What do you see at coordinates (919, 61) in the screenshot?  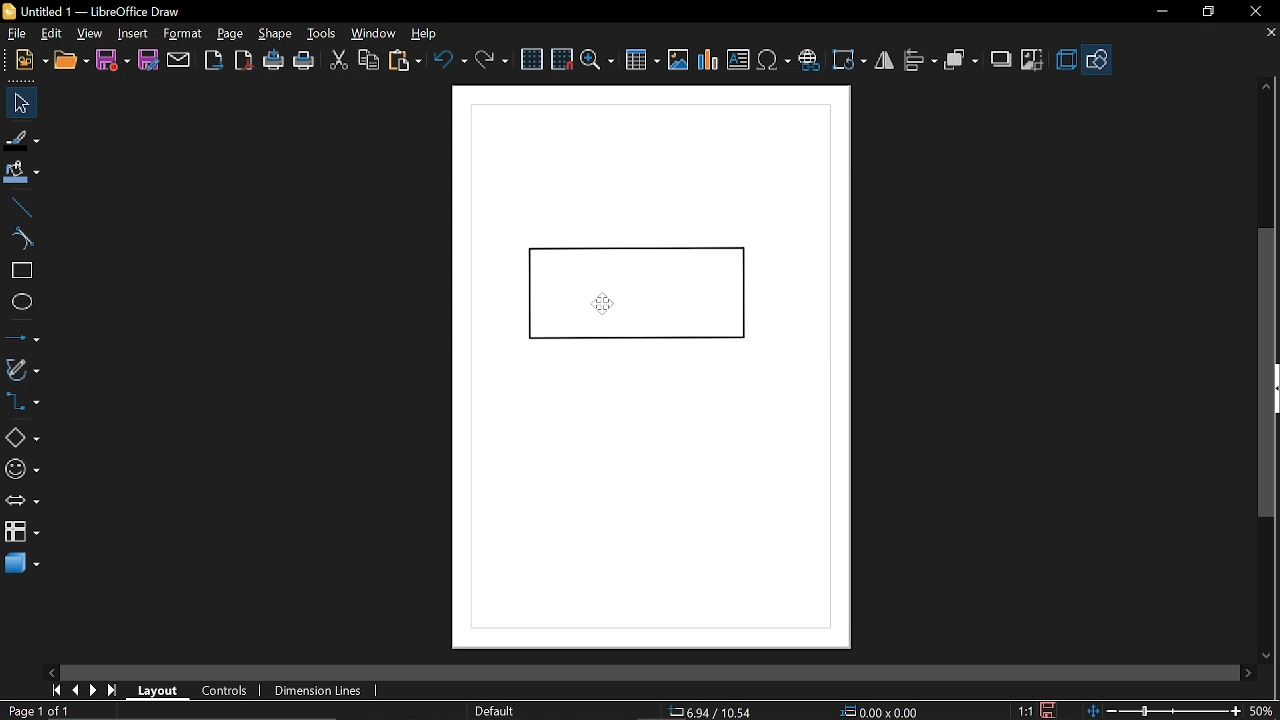 I see `allign` at bounding box center [919, 61].